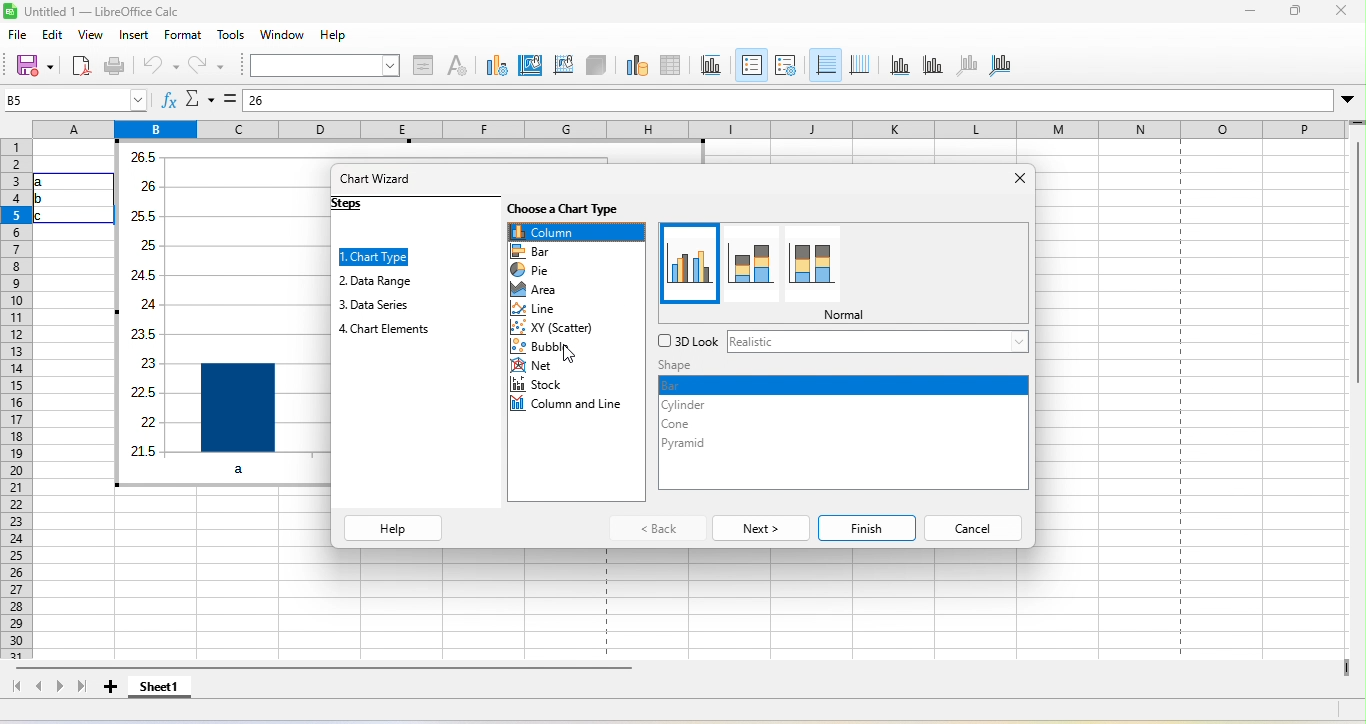 This screenshot has width=1366, height=724. What do you see at coordinates (549, 344) in the screenshot?
I see `bubble` at bounding box center [549, 344].